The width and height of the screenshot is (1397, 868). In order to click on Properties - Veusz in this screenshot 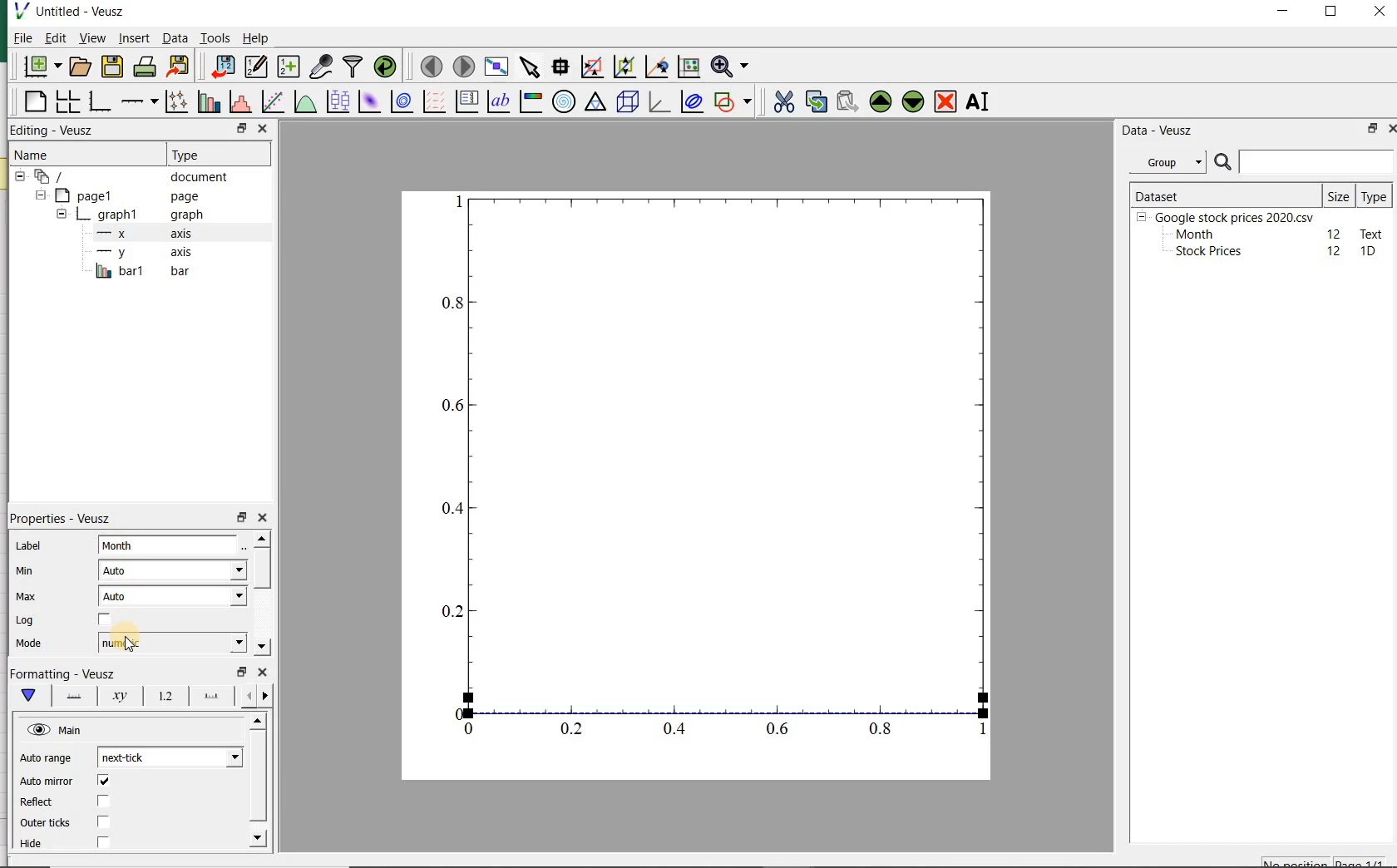, I will do `click(66, 520)`.